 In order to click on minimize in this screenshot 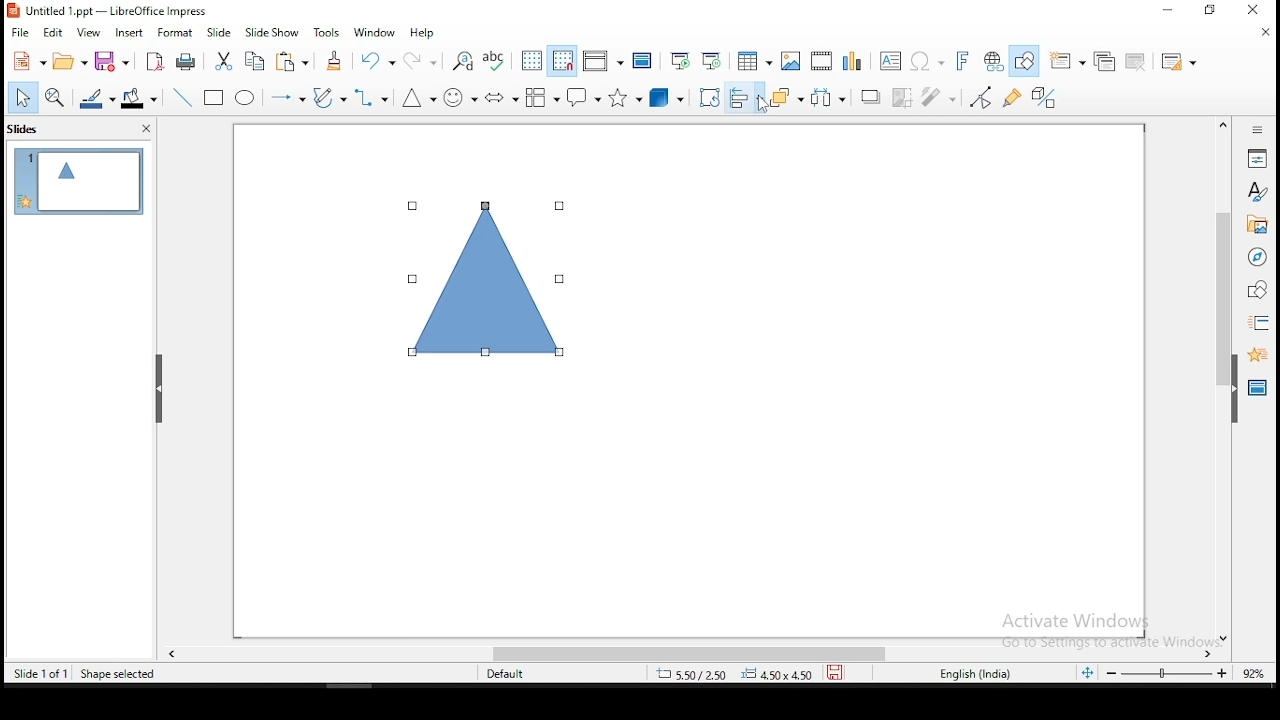, I will do `click(1164, 12)`.